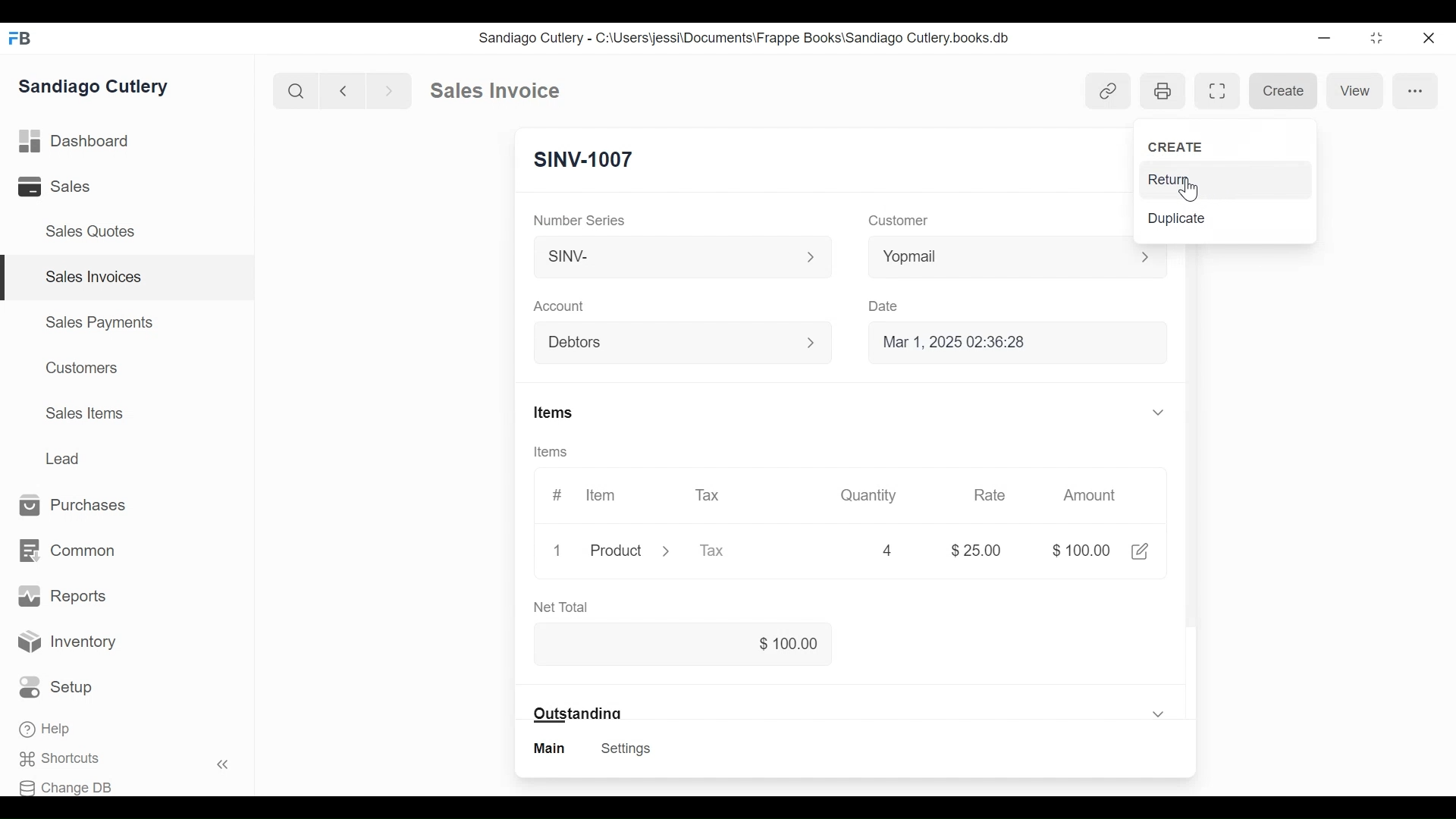  What do you see at coordinates (494, 91) in the screenshot?
I see `Sales invoice` at bounding box center [494, 91].